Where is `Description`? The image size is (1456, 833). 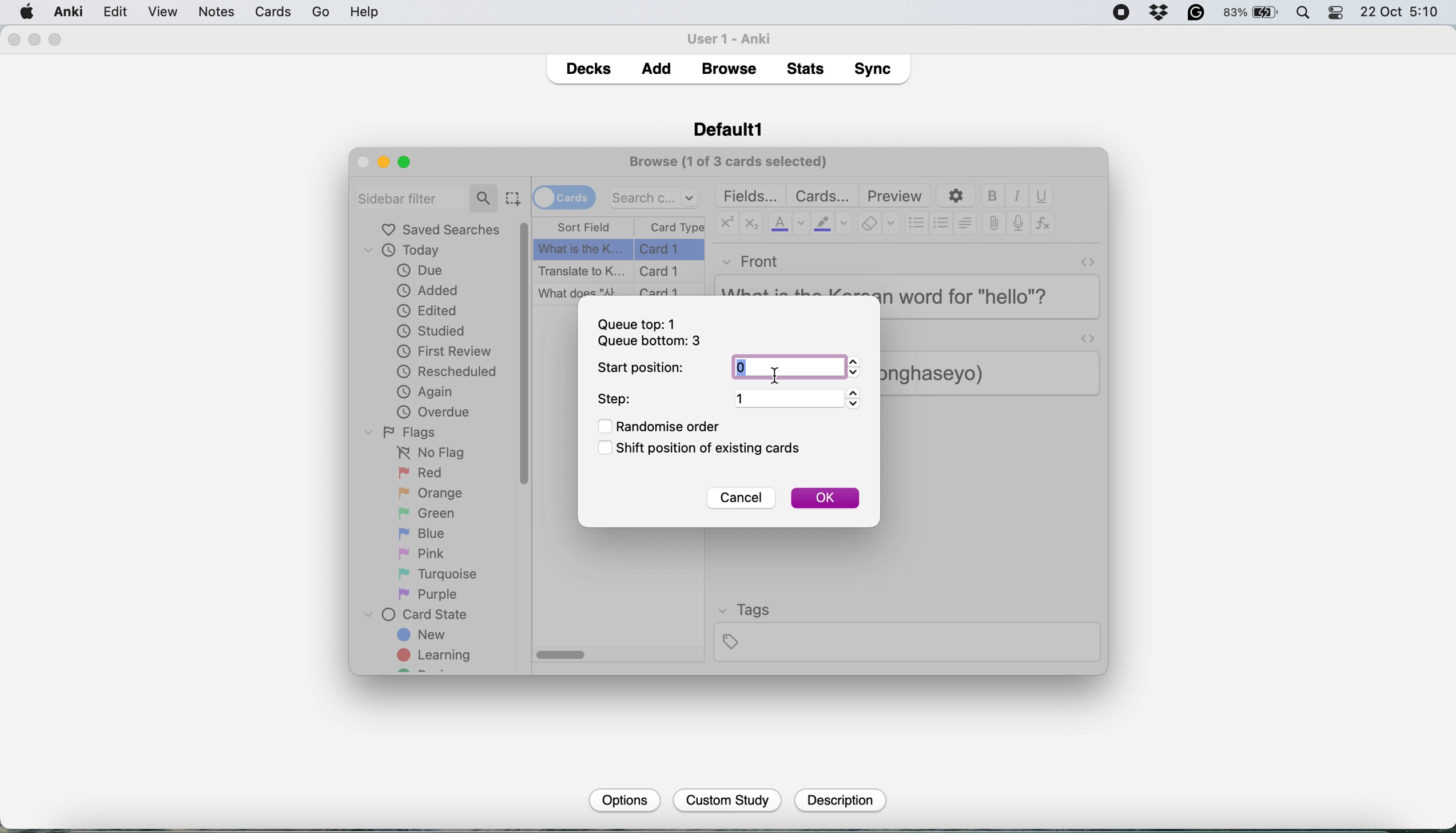
Description is located at coordinates (838, 800).